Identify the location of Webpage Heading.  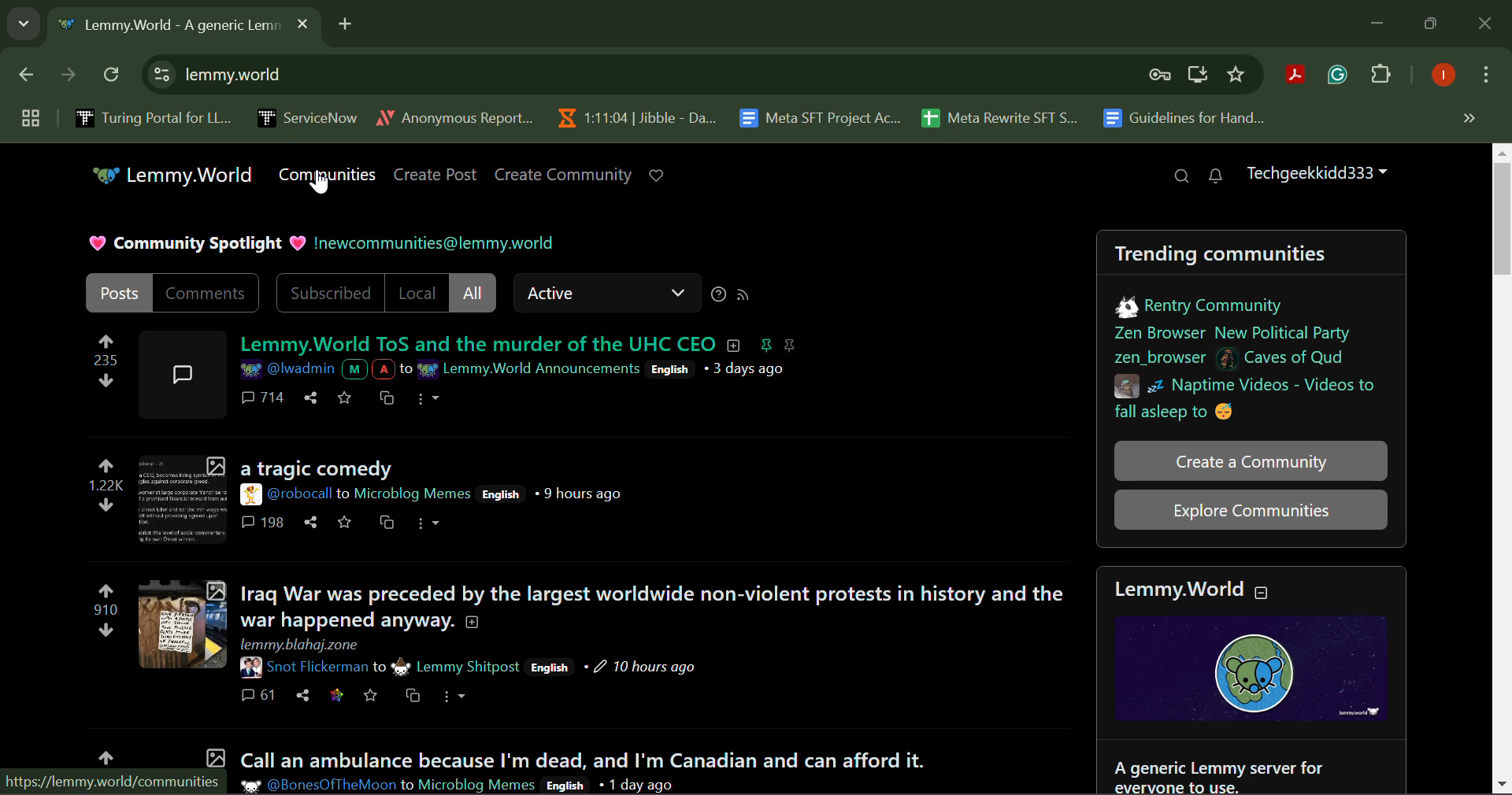
(167, 27).